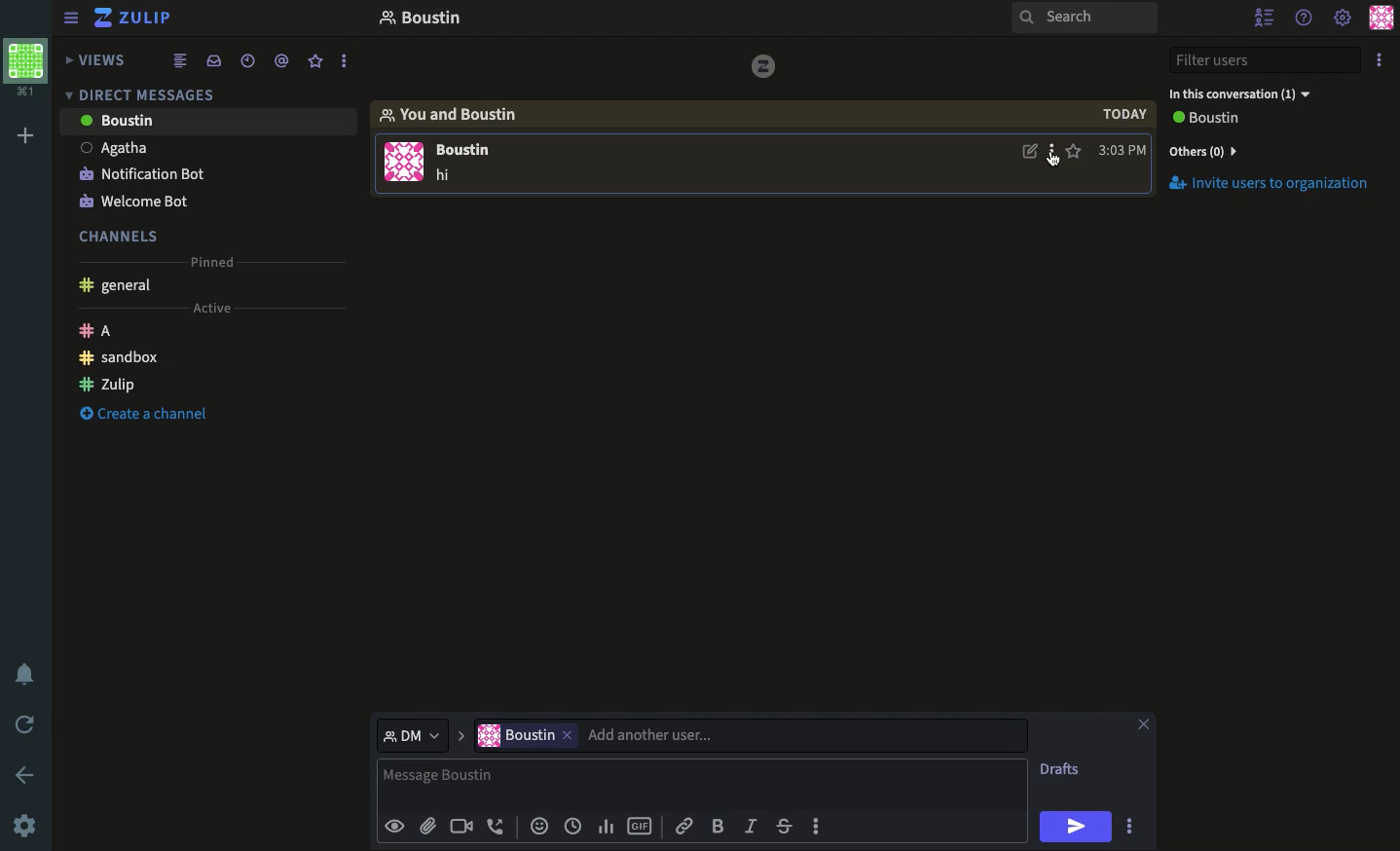 The image size is (1400, 851). I want to click on Time, so click(246, 59).